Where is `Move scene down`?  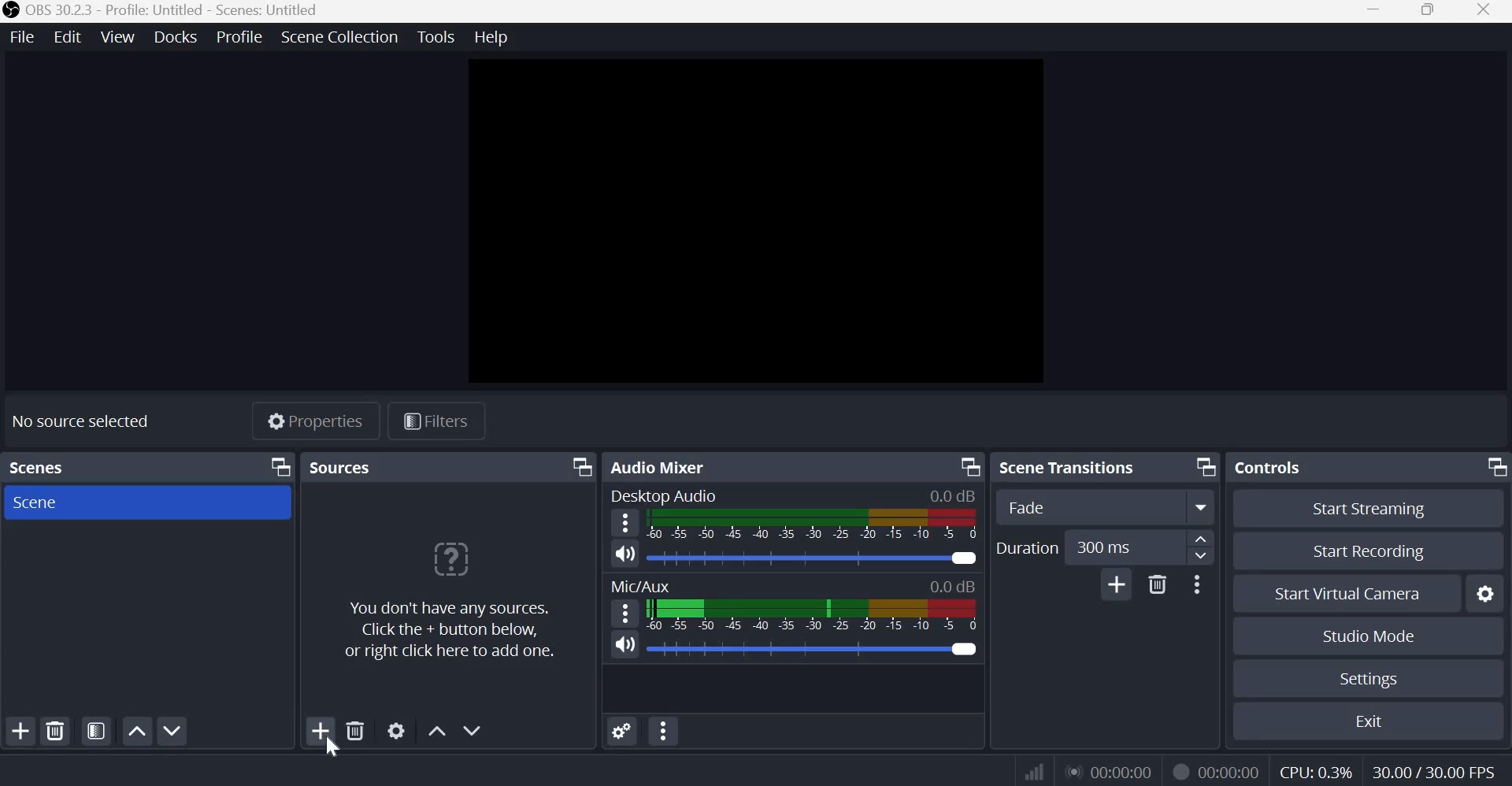
Move scene down is located at coordinates (176, 732).